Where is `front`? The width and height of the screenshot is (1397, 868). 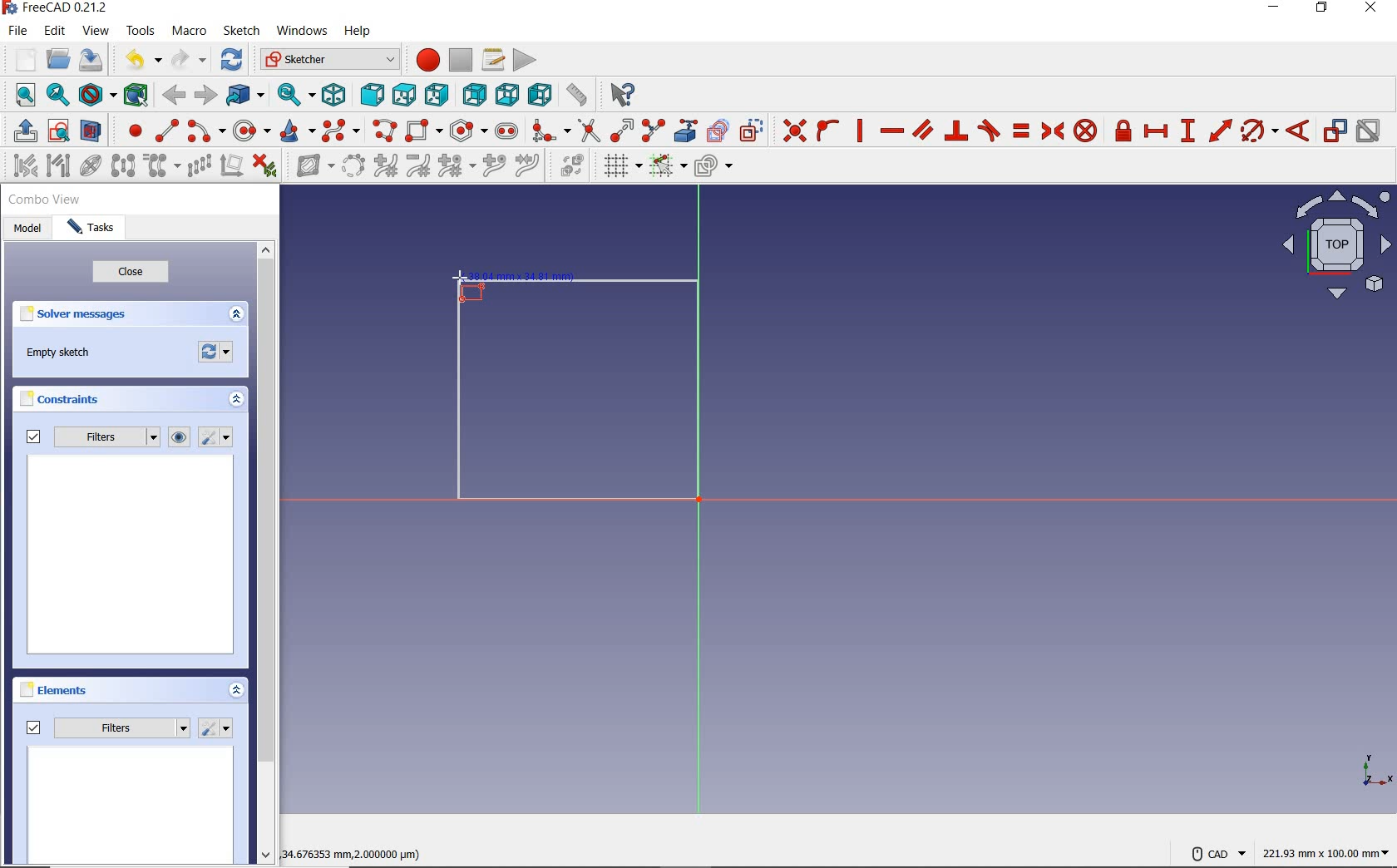 front is located at coordinates (370, 96).